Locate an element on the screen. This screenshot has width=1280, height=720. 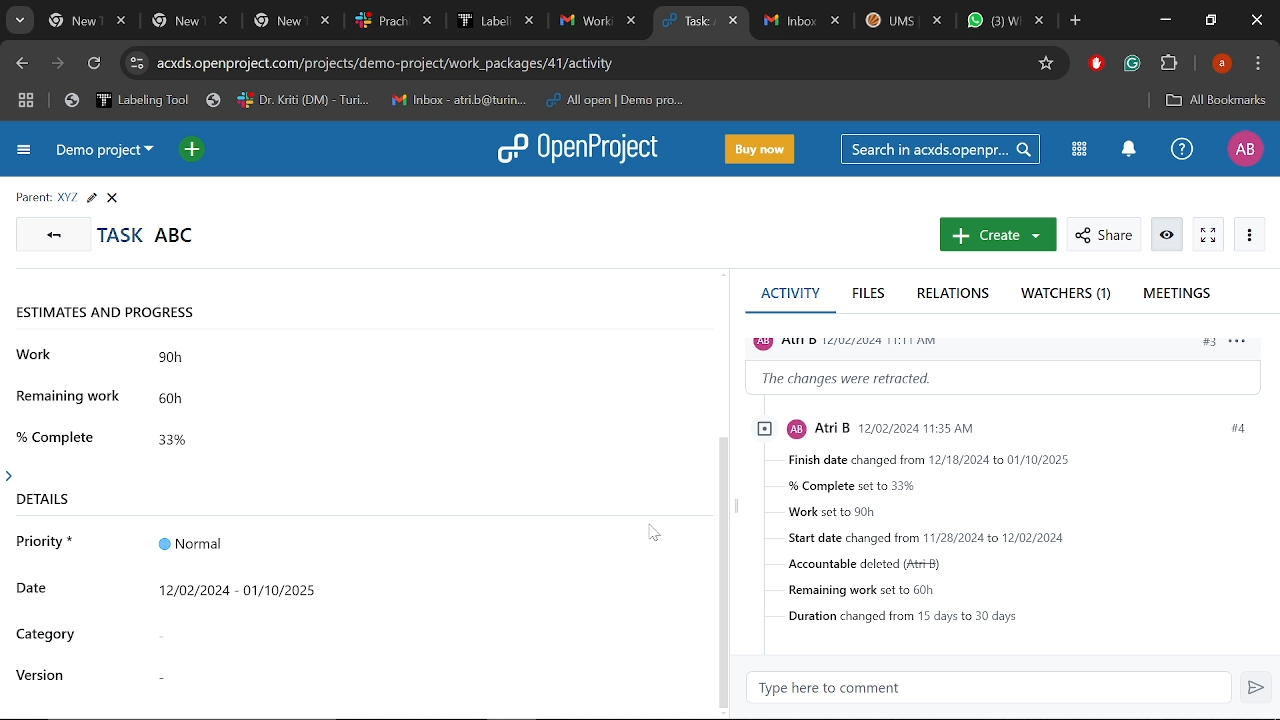
profile is located at coordinates (956, 427).